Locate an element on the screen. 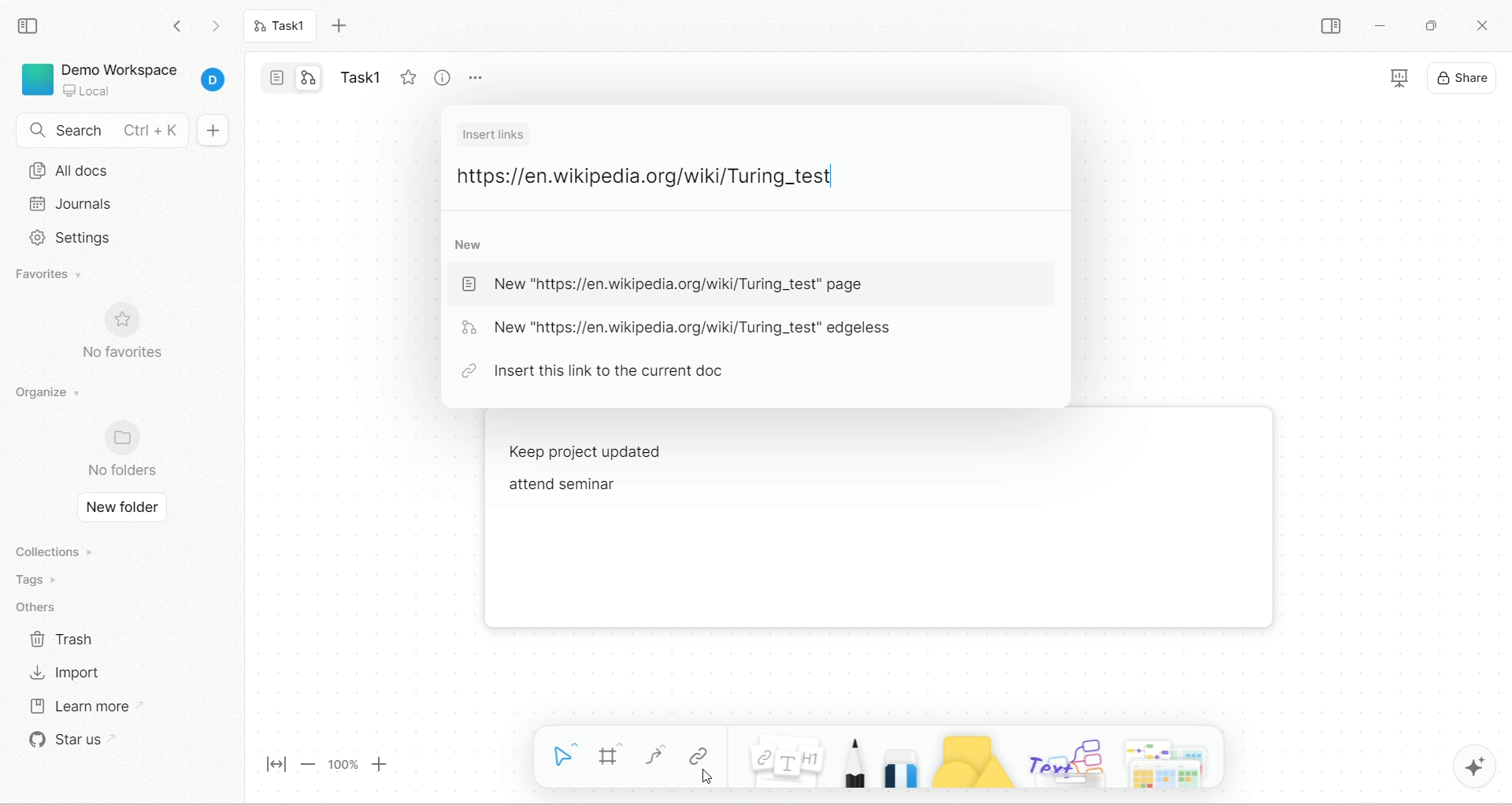 Image resolution: width=1512 pixels, height=805 pixels. favorites is located at coordinates (62, 276).